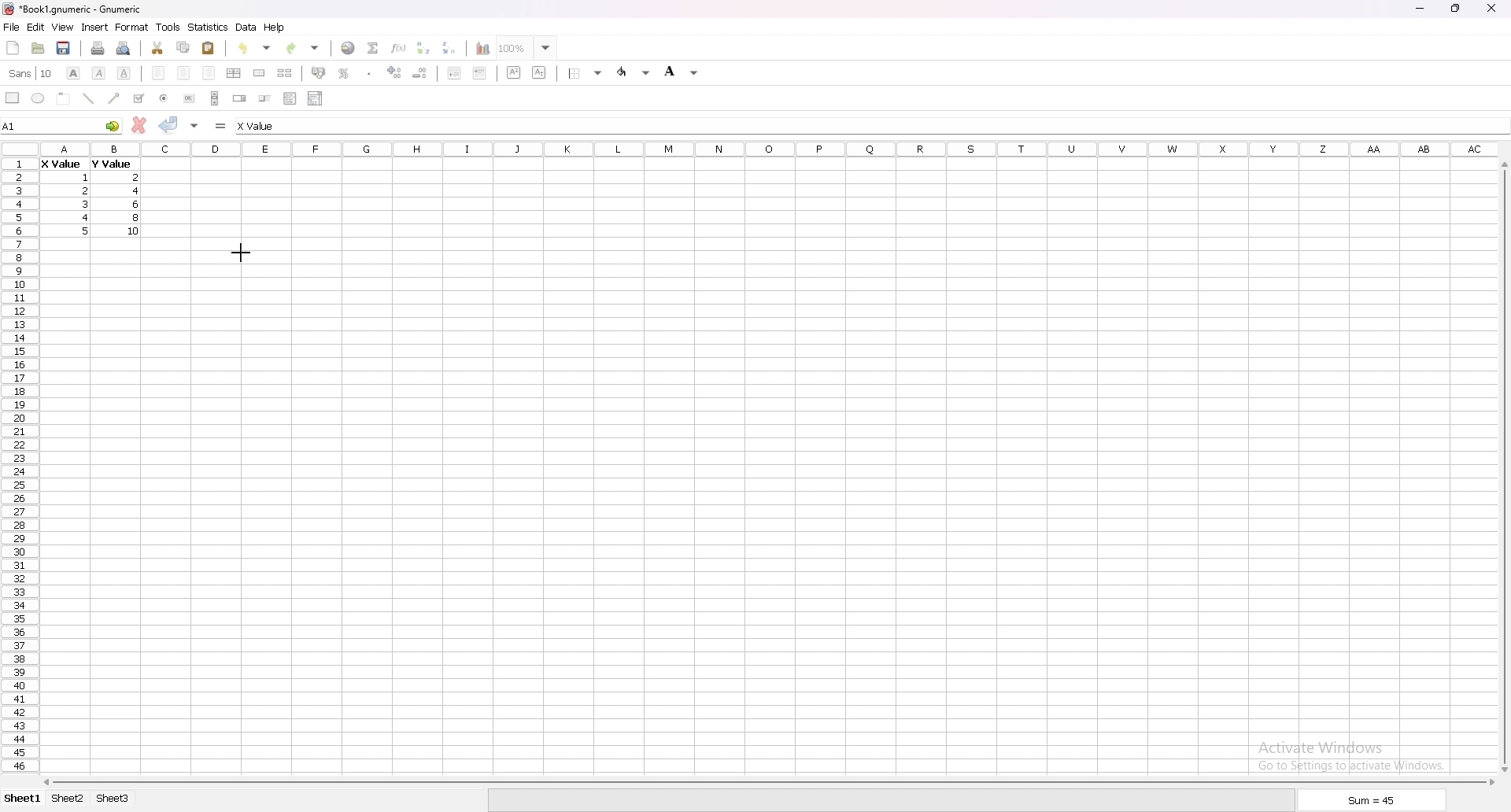  Describe the element at coordinates (246, 27) in the screenshot. I see `data` at that location.